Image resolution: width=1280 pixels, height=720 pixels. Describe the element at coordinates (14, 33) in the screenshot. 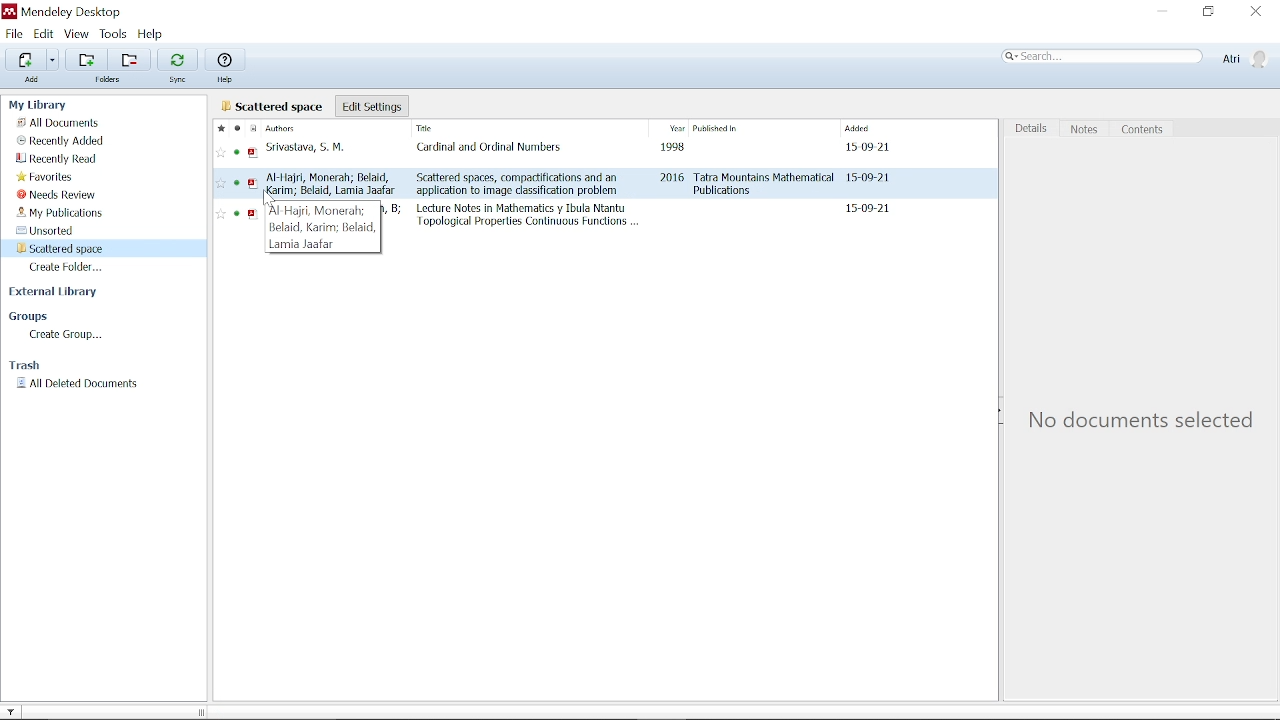

I see `File` at that location.